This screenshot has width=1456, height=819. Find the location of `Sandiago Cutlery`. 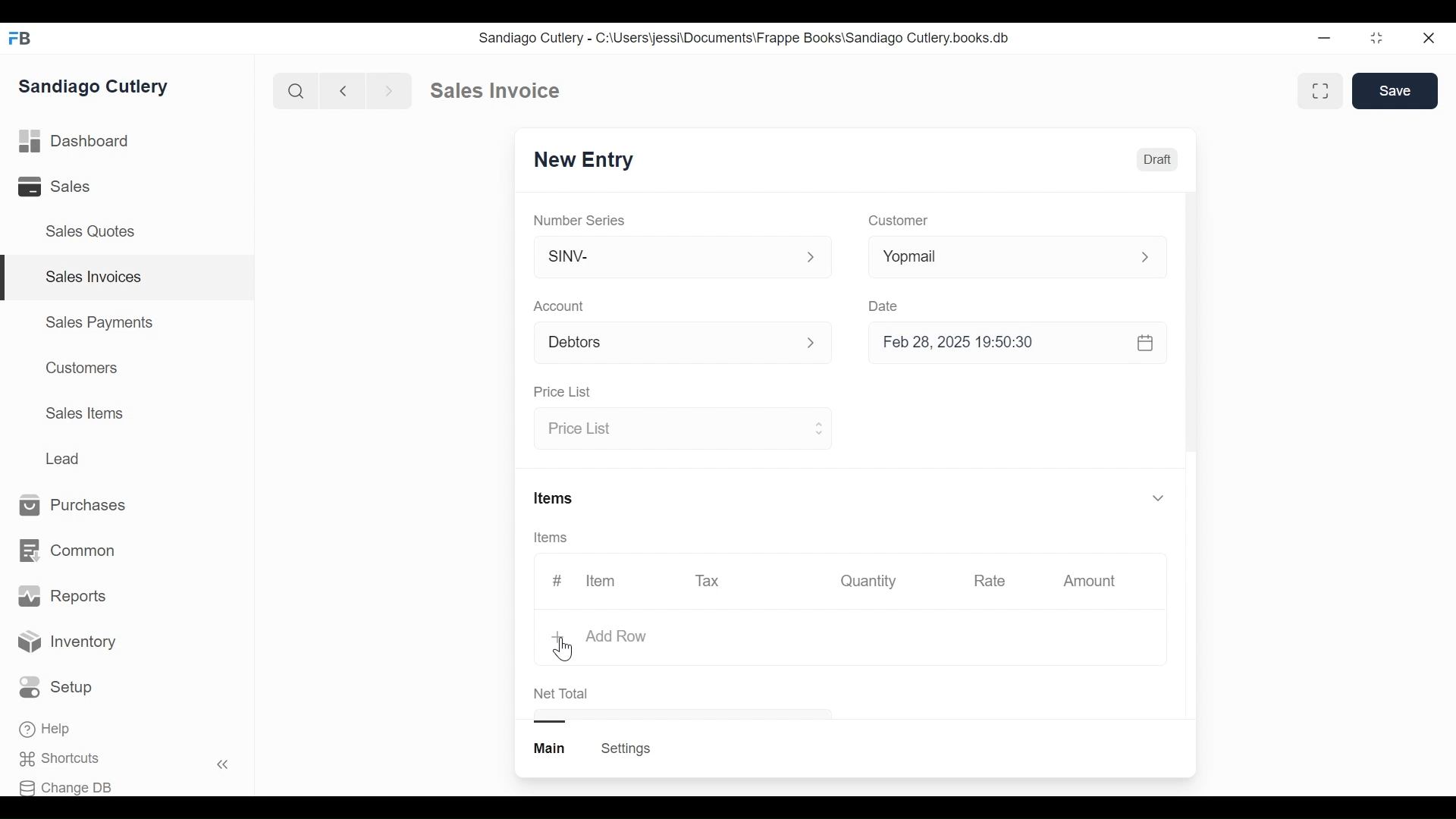

Sandiago Cutlery is located at coordinates (98, 86).